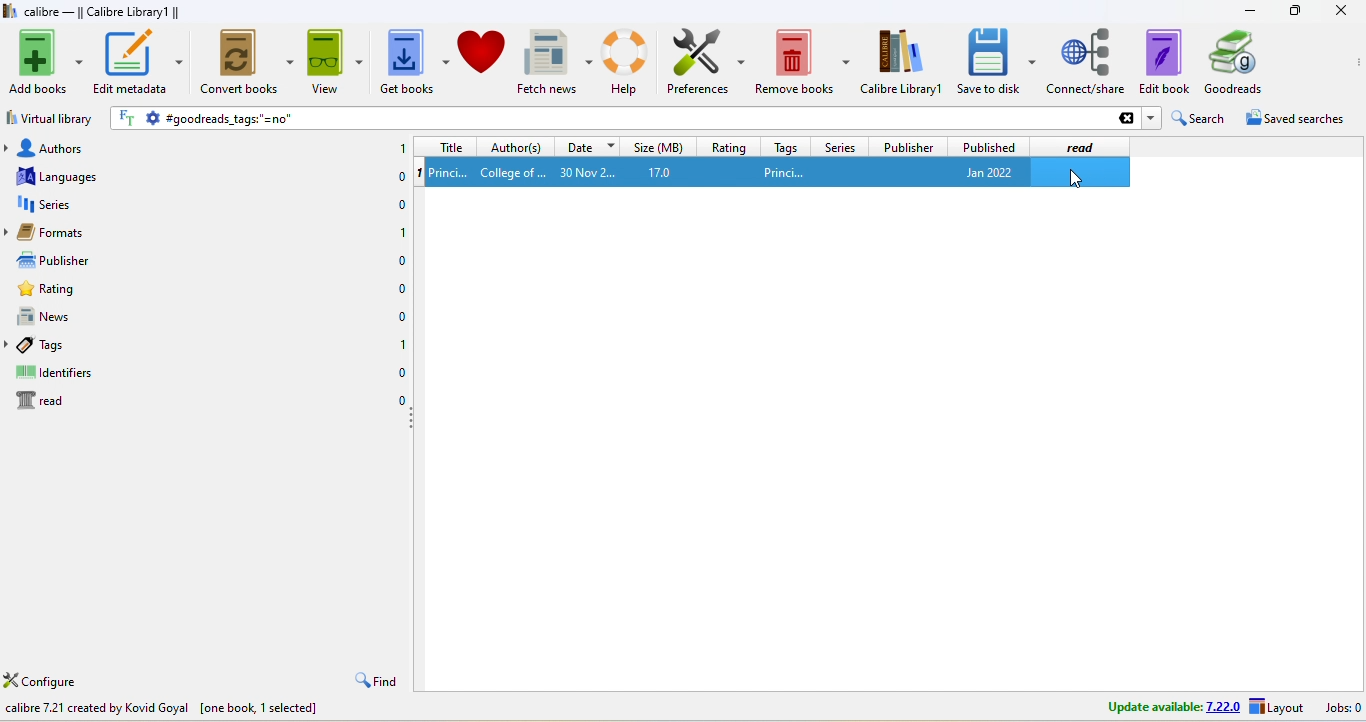 The height and width of the screenshot is (722, 1366). I want to click on princi, so click(785, 173).